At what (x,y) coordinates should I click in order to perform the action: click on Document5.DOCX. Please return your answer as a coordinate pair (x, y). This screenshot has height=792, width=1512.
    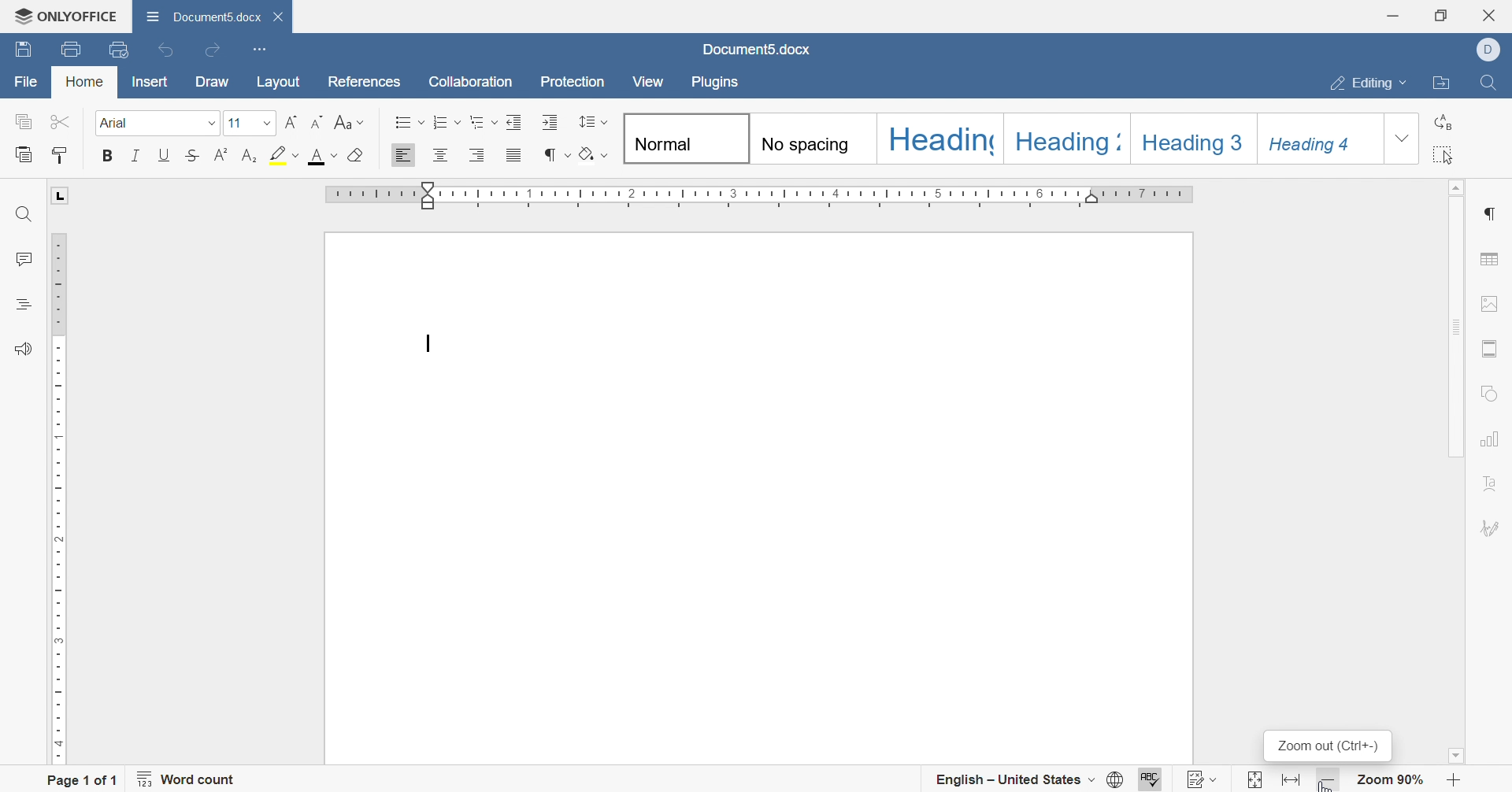
    Looking at the image, I should click on (753, 52).